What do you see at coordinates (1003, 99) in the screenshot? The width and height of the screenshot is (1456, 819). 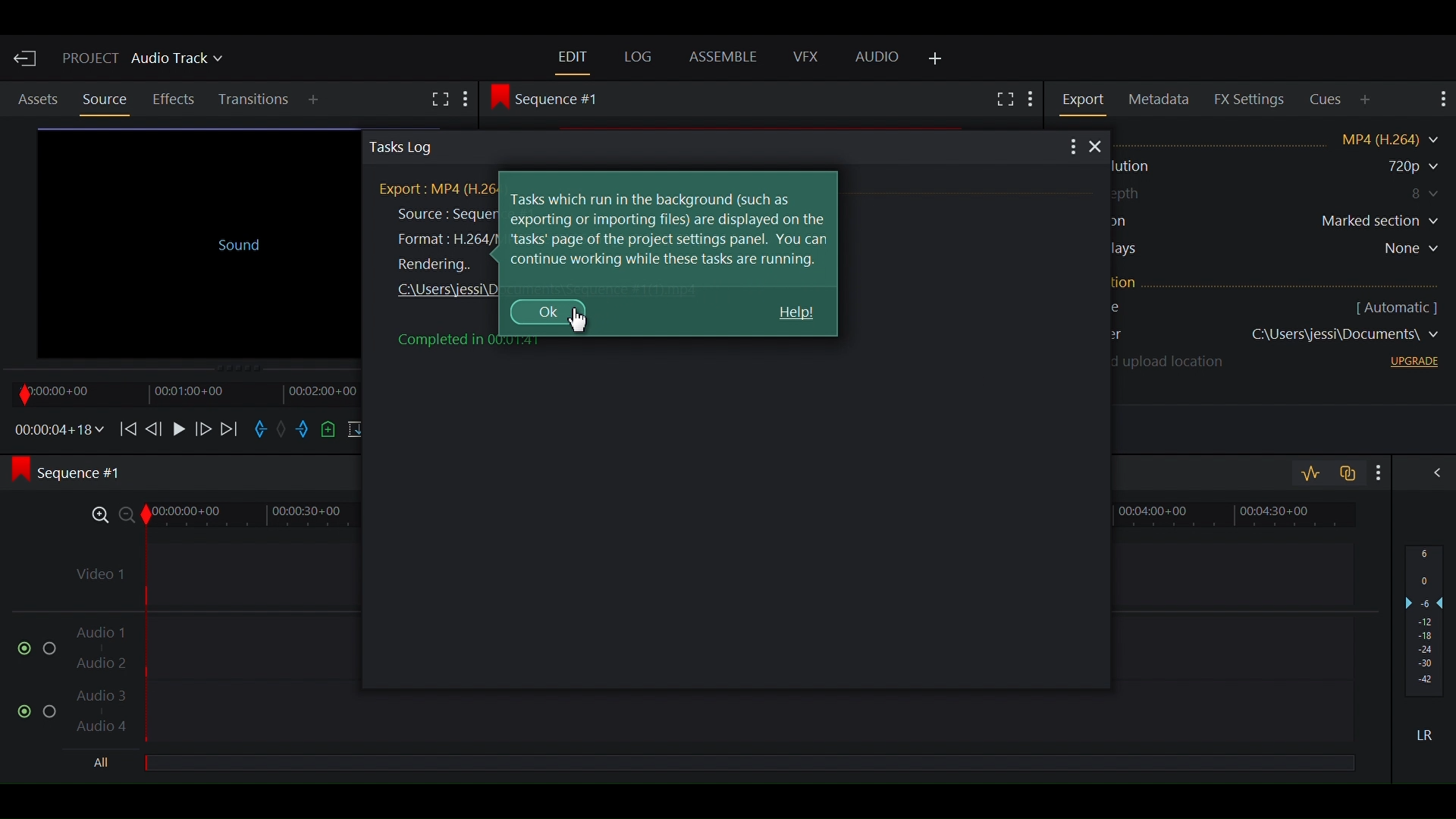 I see `Fullscreen` at bounding box center [1003, 99].